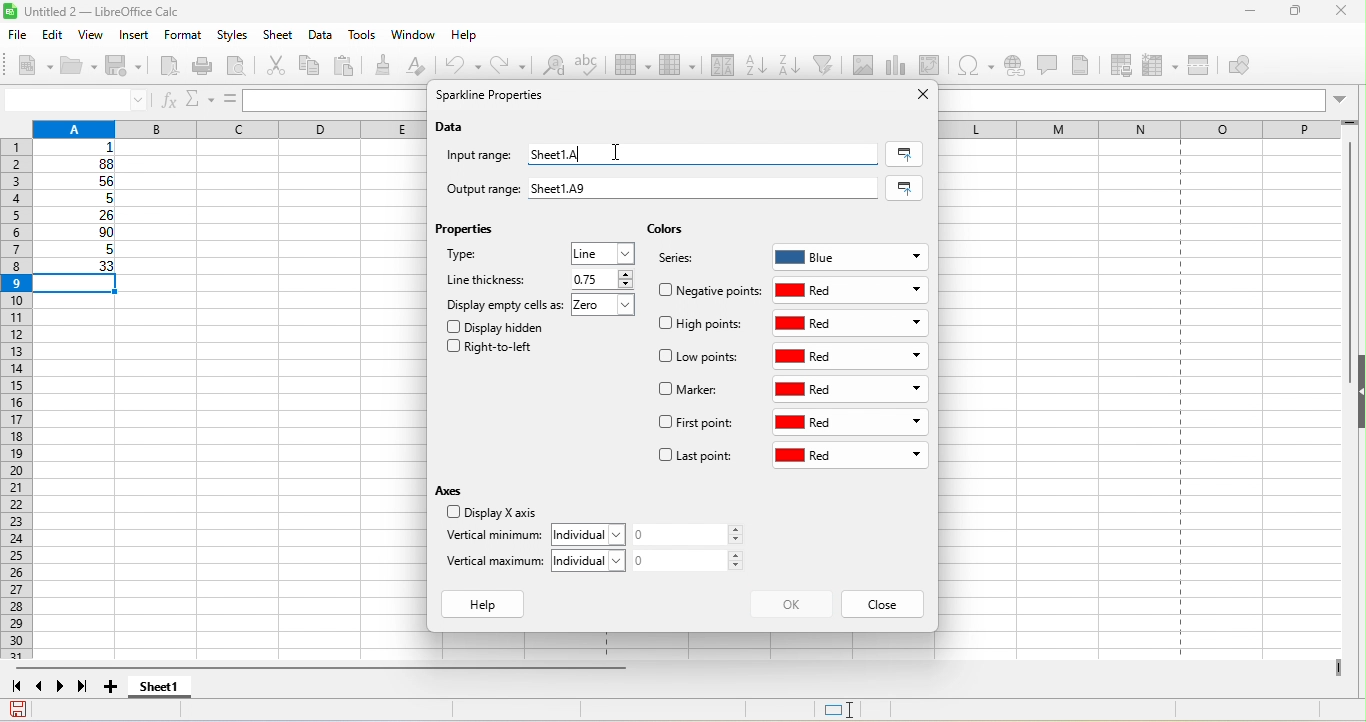 Image resolution: width=1366 pixels, height=722 pixels. What do you see at coordinates (604, 254) in the screenshot?
I see `line` at bounding box center [604, 254].